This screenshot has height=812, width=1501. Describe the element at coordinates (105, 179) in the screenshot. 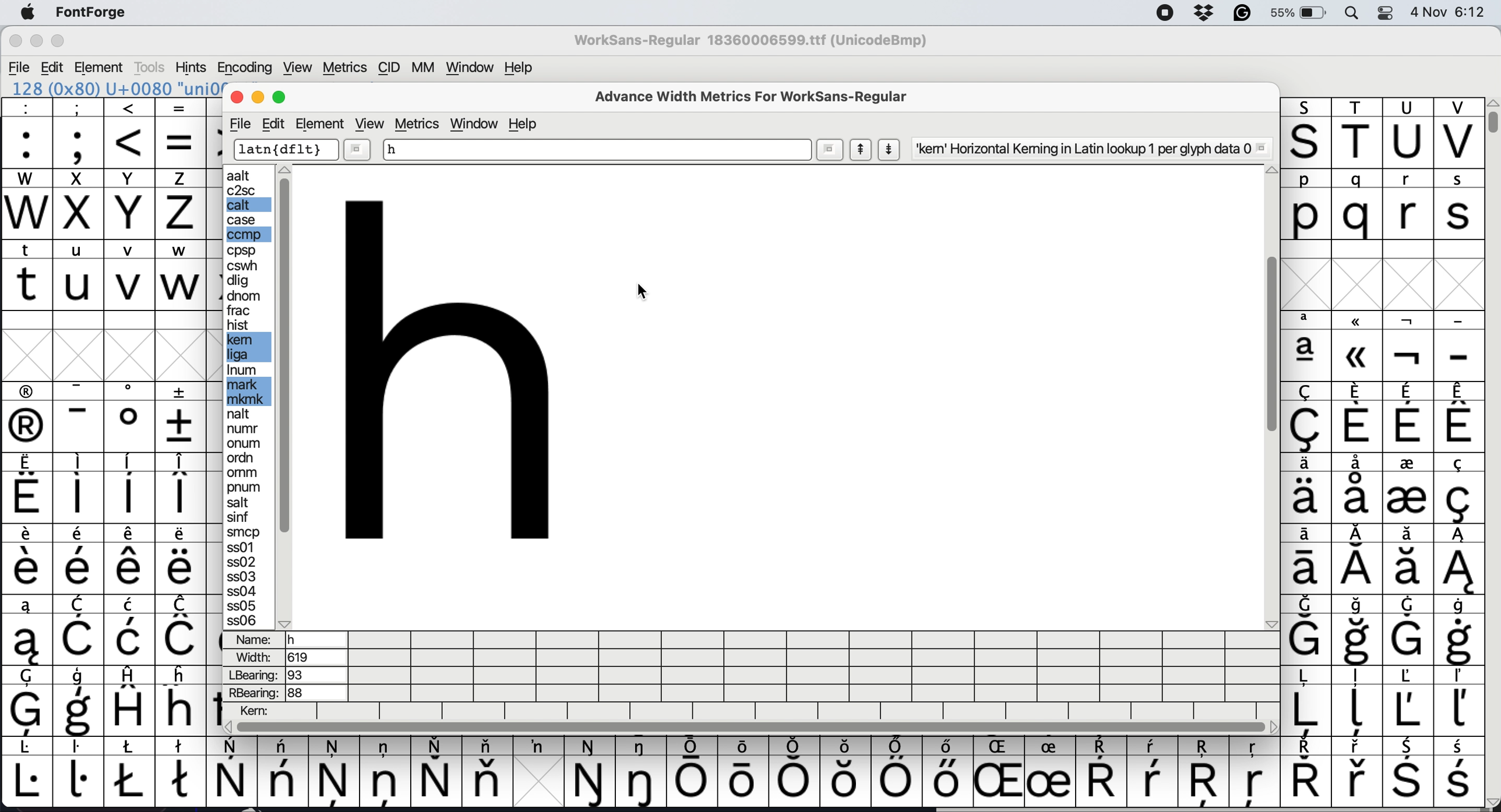

I see `uppercase letters` at that location.